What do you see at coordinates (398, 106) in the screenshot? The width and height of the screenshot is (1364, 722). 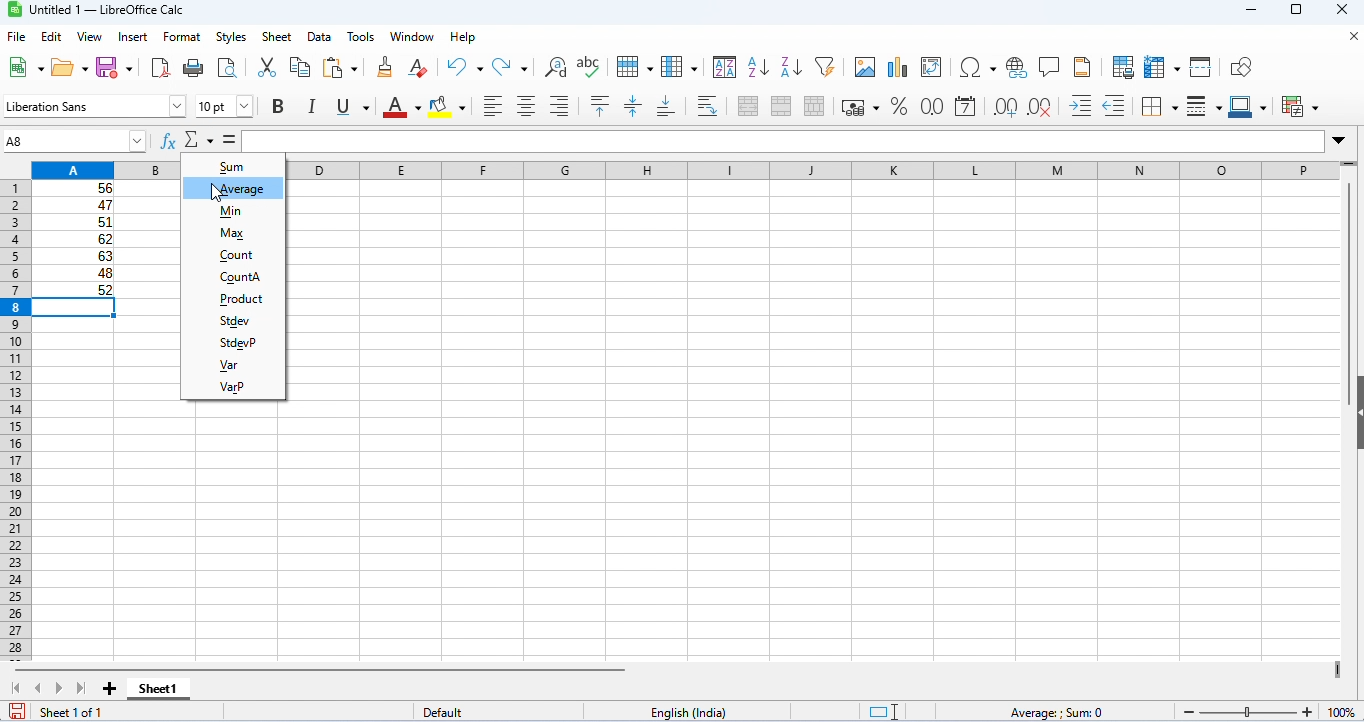 I see `font color` at bounding box center [398, 106].